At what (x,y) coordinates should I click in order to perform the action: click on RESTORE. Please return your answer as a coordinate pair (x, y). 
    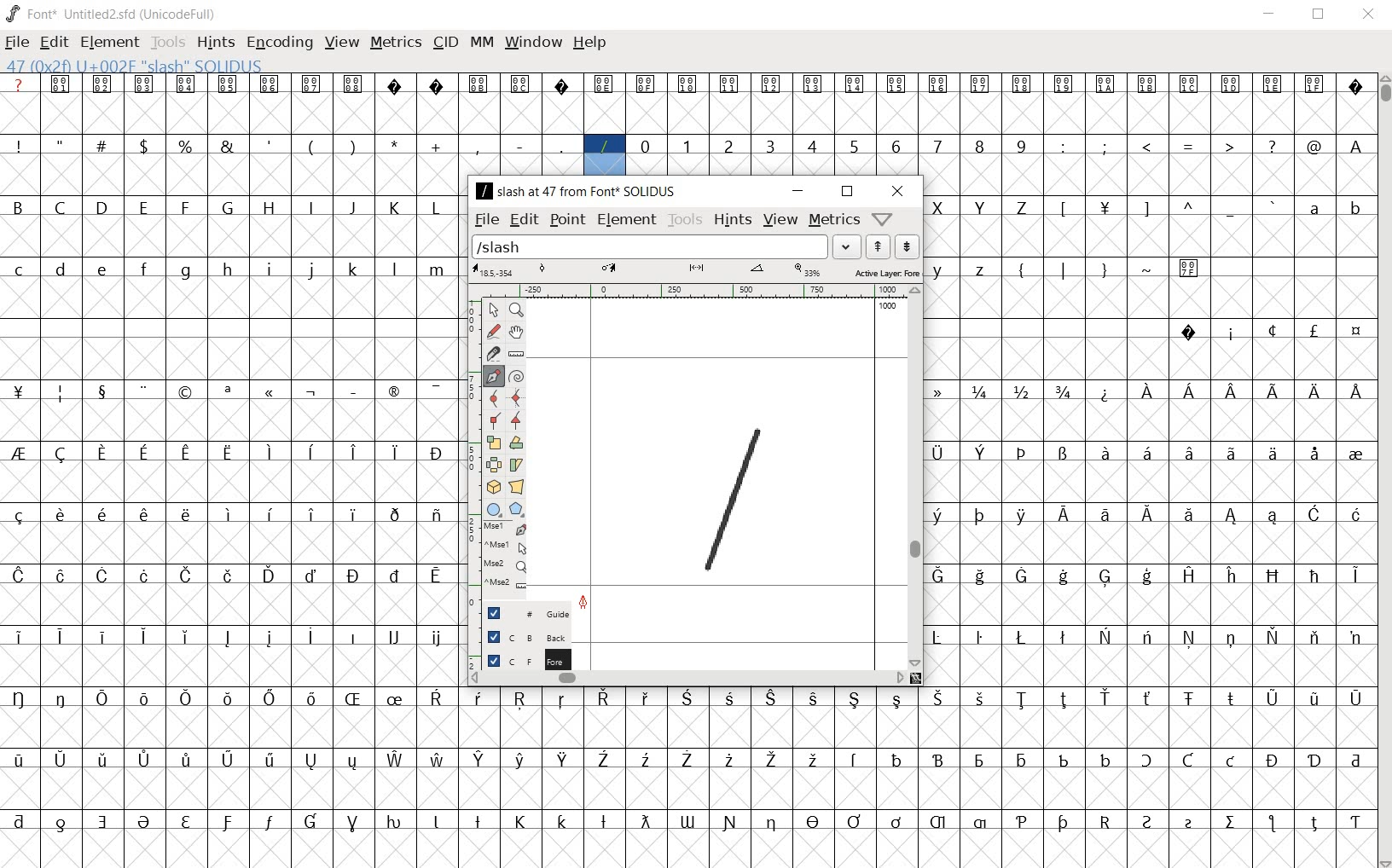
    Looking at the image, I should click on (1316, 14).